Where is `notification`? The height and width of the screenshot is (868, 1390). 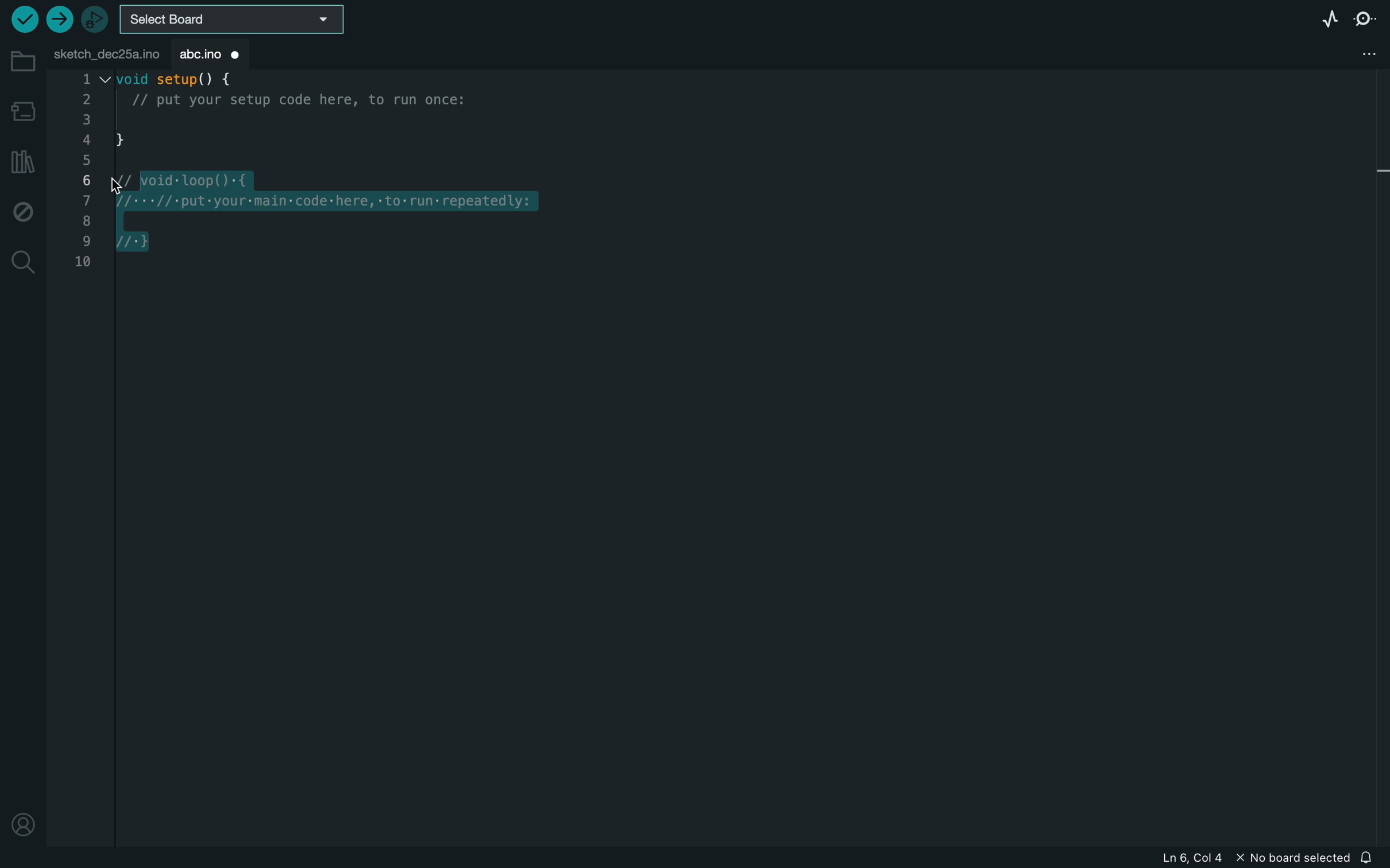 notification is located at coordinates (1369, 856).